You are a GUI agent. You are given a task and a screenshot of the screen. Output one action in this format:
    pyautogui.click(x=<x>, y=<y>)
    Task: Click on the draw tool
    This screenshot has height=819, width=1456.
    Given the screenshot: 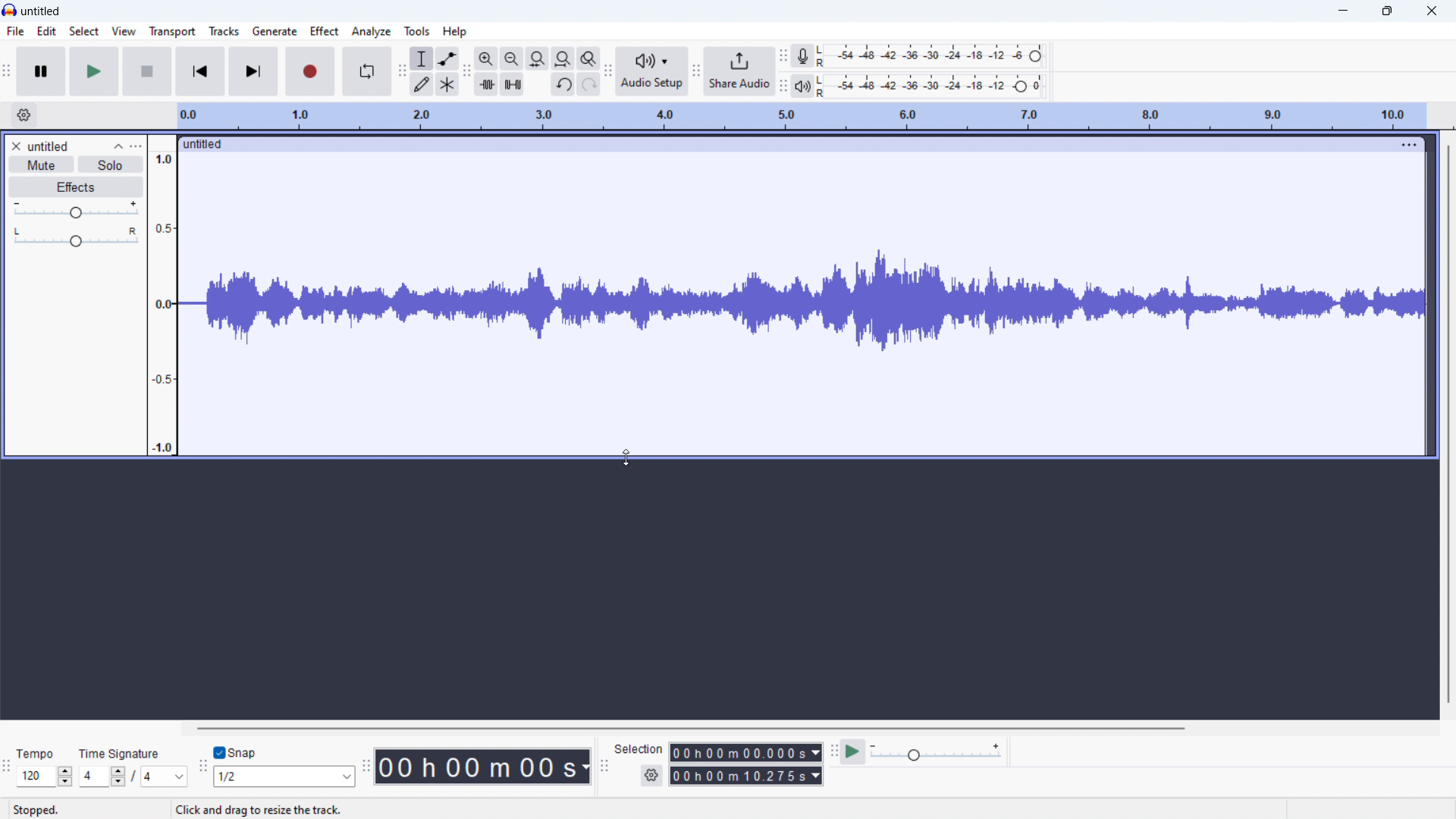 What is the action you would take?
    pyautogui.click(x=422, y=84)
    